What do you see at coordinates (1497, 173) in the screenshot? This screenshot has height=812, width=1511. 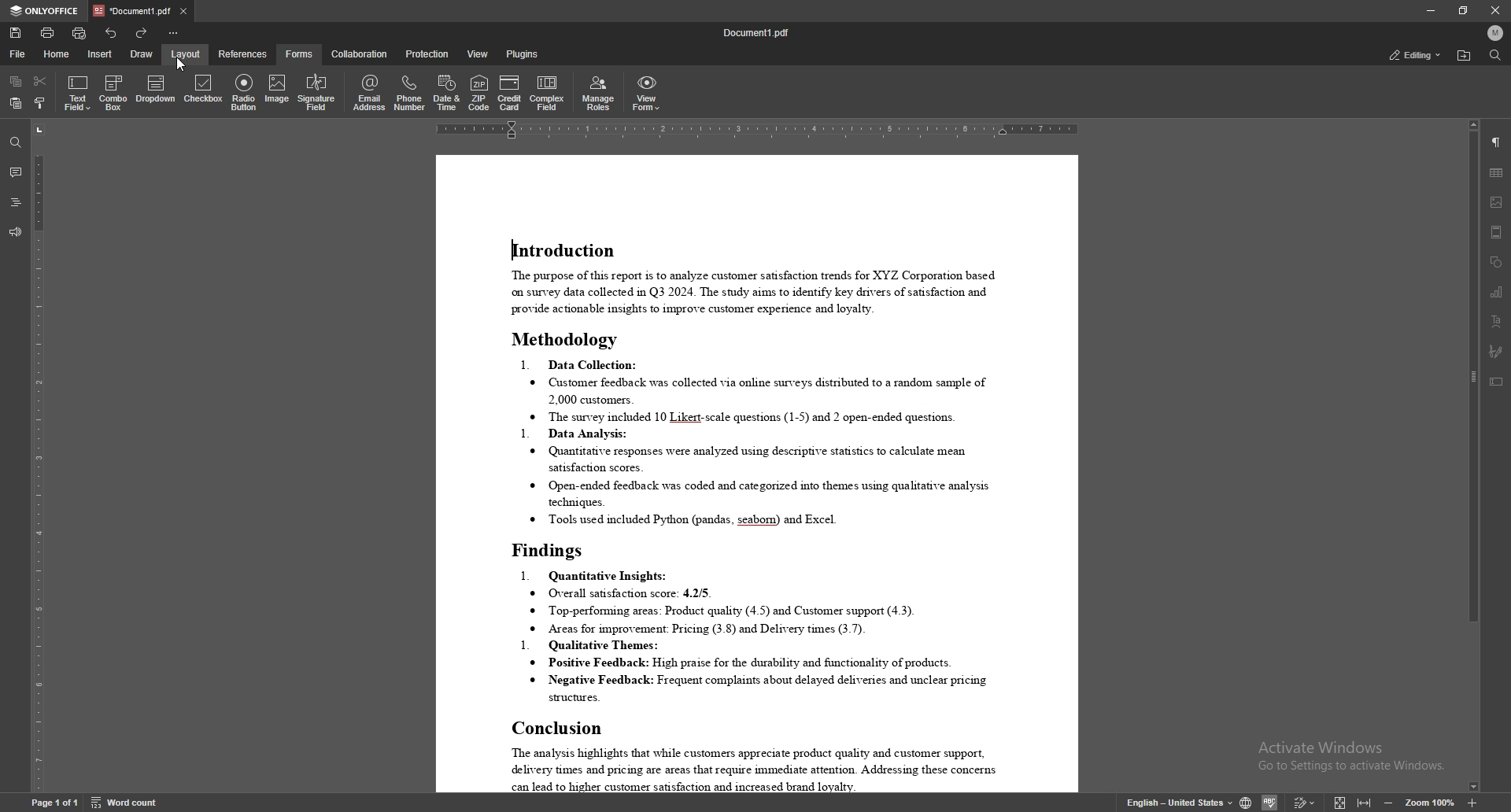 I see `table` at bounding box center [1497, 173].